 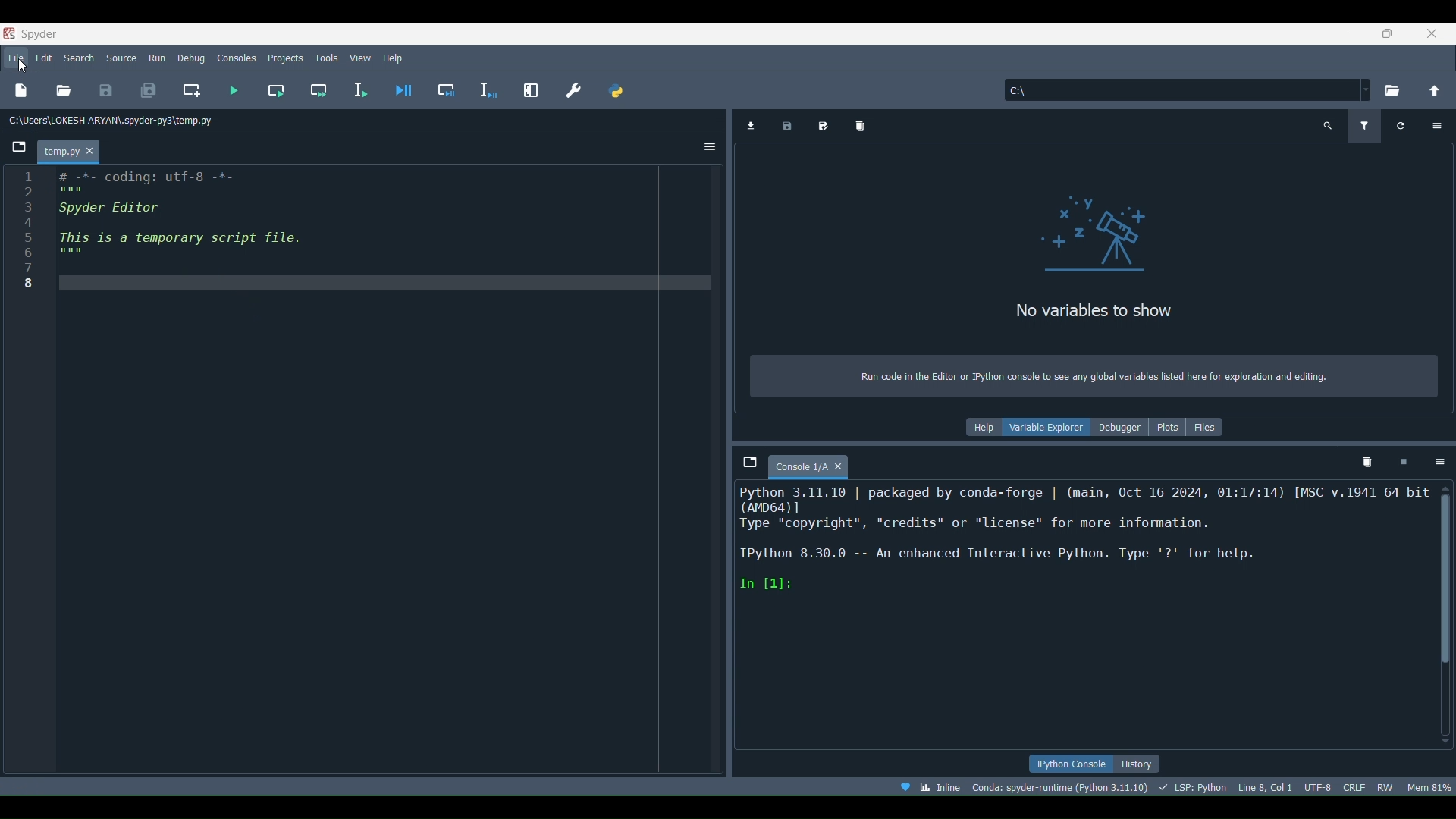 I want to click on Debug file (Ctrl + F5), so click(x=397, y=90).